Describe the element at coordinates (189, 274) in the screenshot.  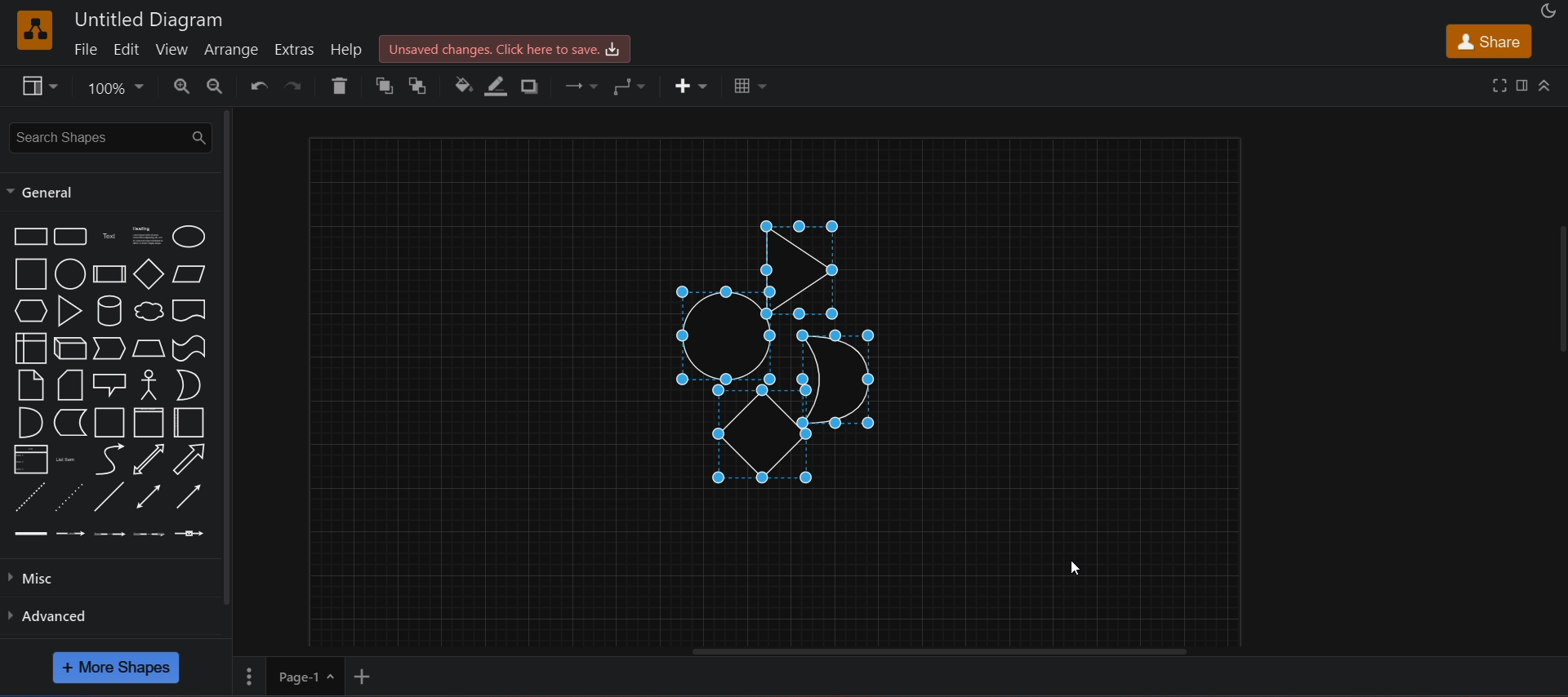
I see `parallelogram` at that location.